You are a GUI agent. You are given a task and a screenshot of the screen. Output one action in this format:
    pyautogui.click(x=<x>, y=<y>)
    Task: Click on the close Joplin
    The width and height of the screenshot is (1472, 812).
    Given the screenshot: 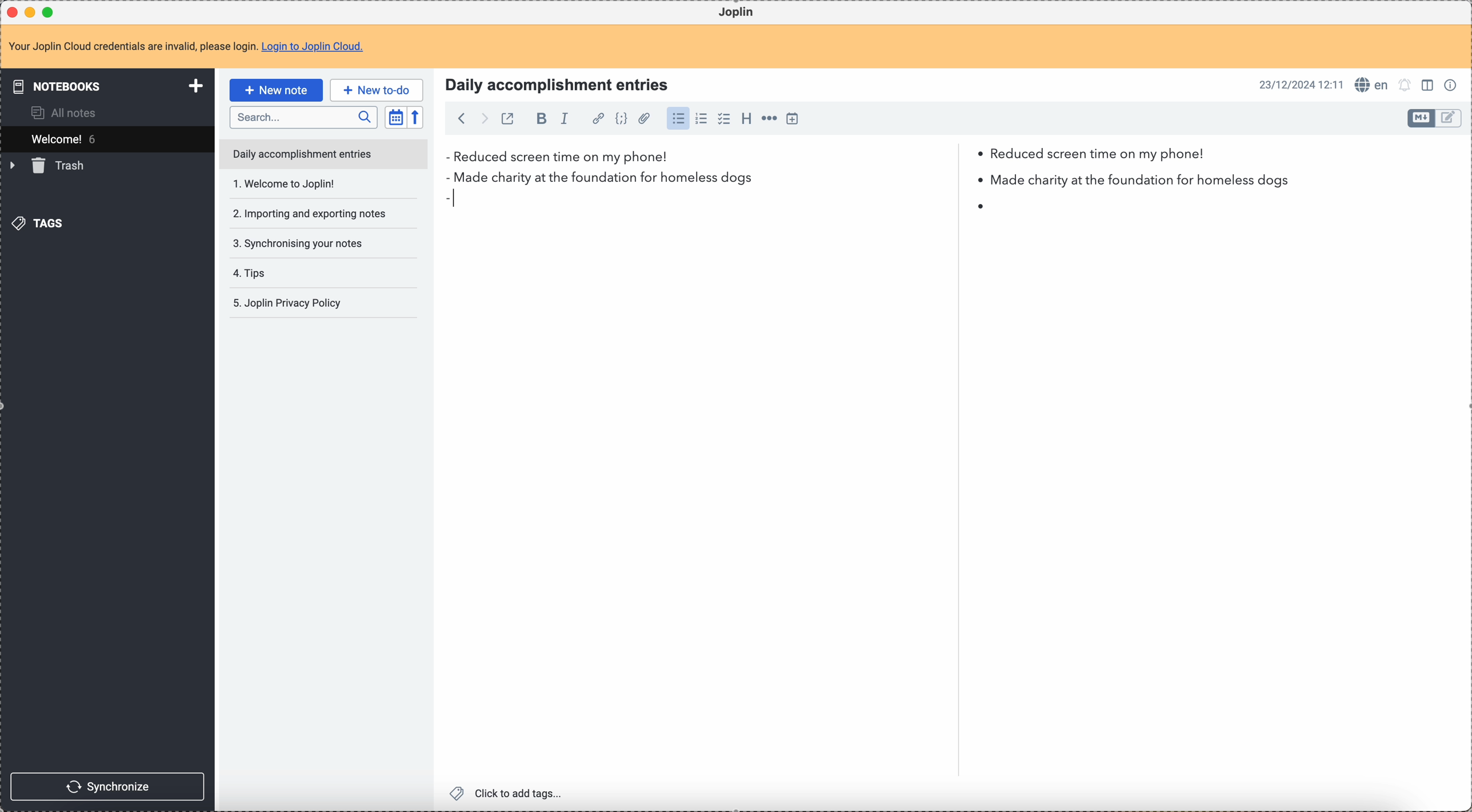 What is the action you would take?
    pyautogui.click(x=14, y=12)
    